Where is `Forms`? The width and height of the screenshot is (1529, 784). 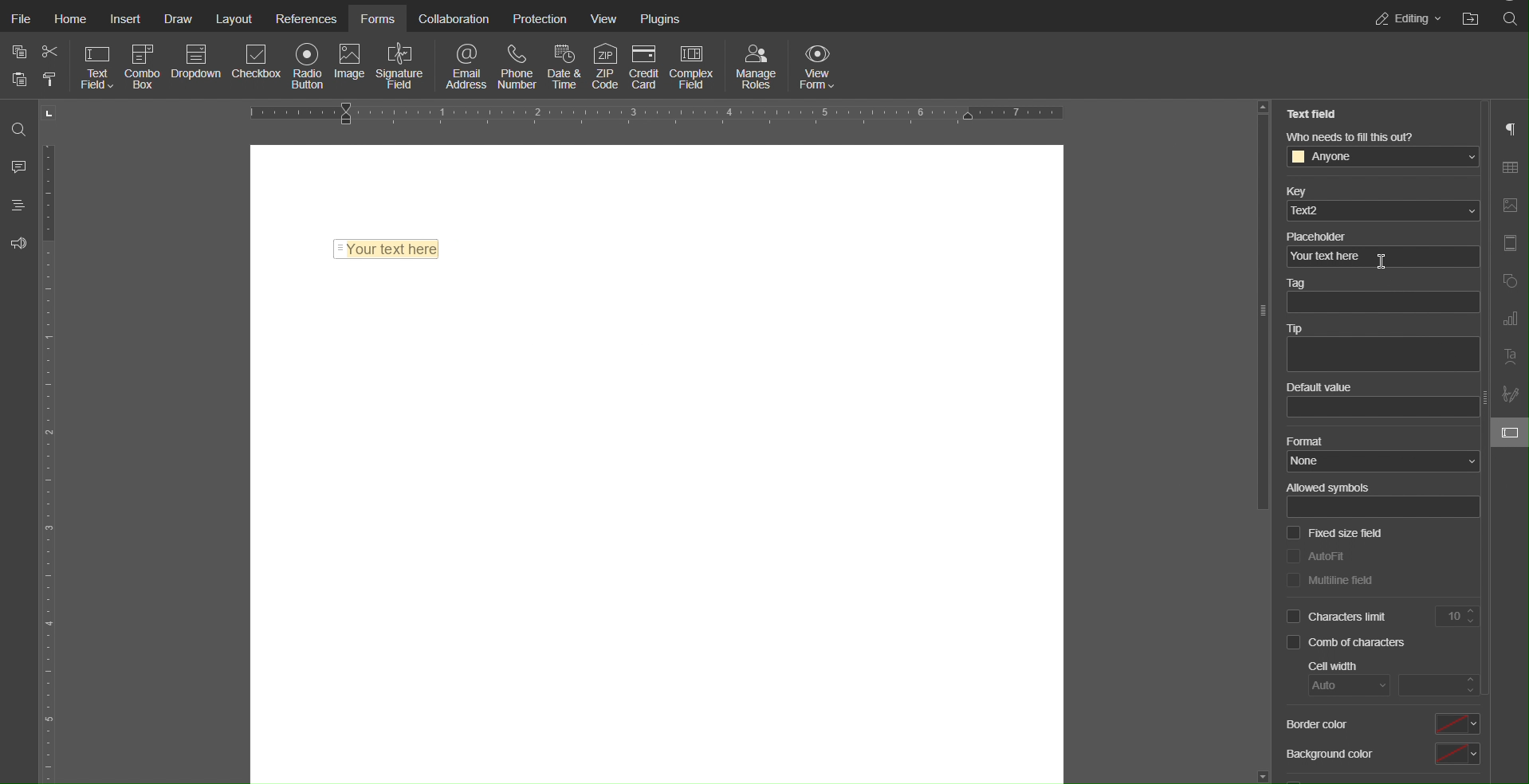
Forms is located at coordinates (378, 20).